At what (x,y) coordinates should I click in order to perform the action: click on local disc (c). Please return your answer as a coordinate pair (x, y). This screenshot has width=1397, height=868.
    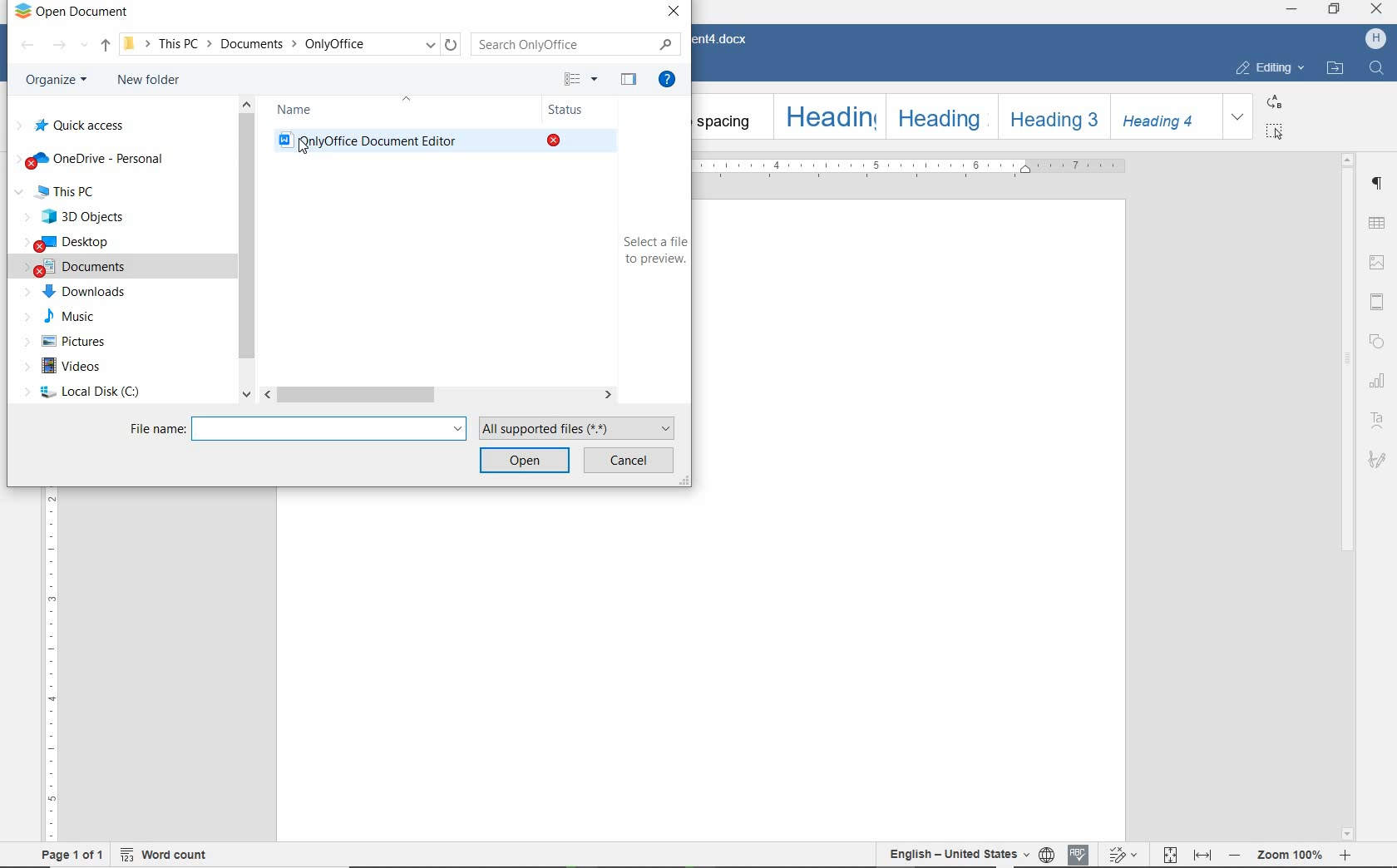
    Looking at the image, I should click on (79, 394).